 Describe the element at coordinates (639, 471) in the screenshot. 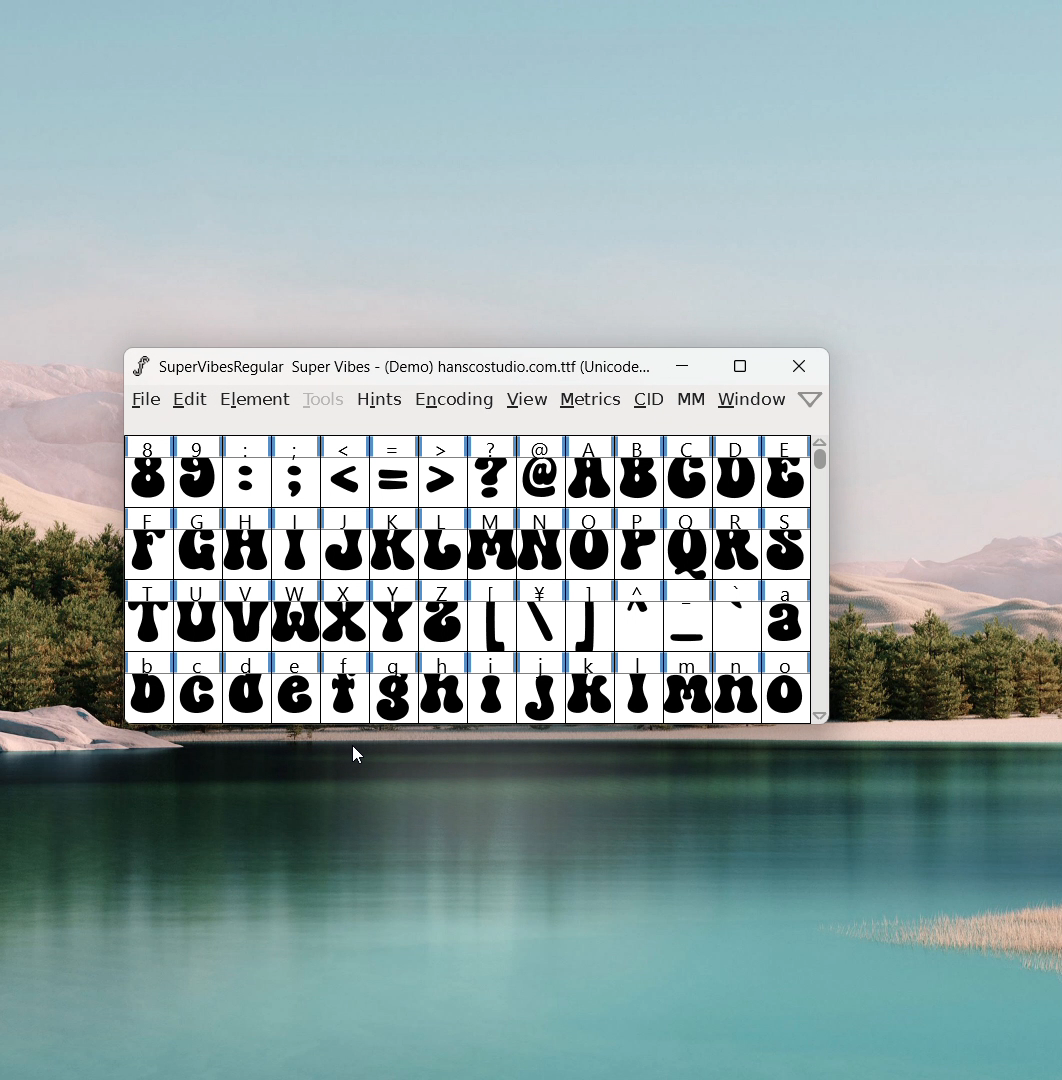

I see `B` at that location.